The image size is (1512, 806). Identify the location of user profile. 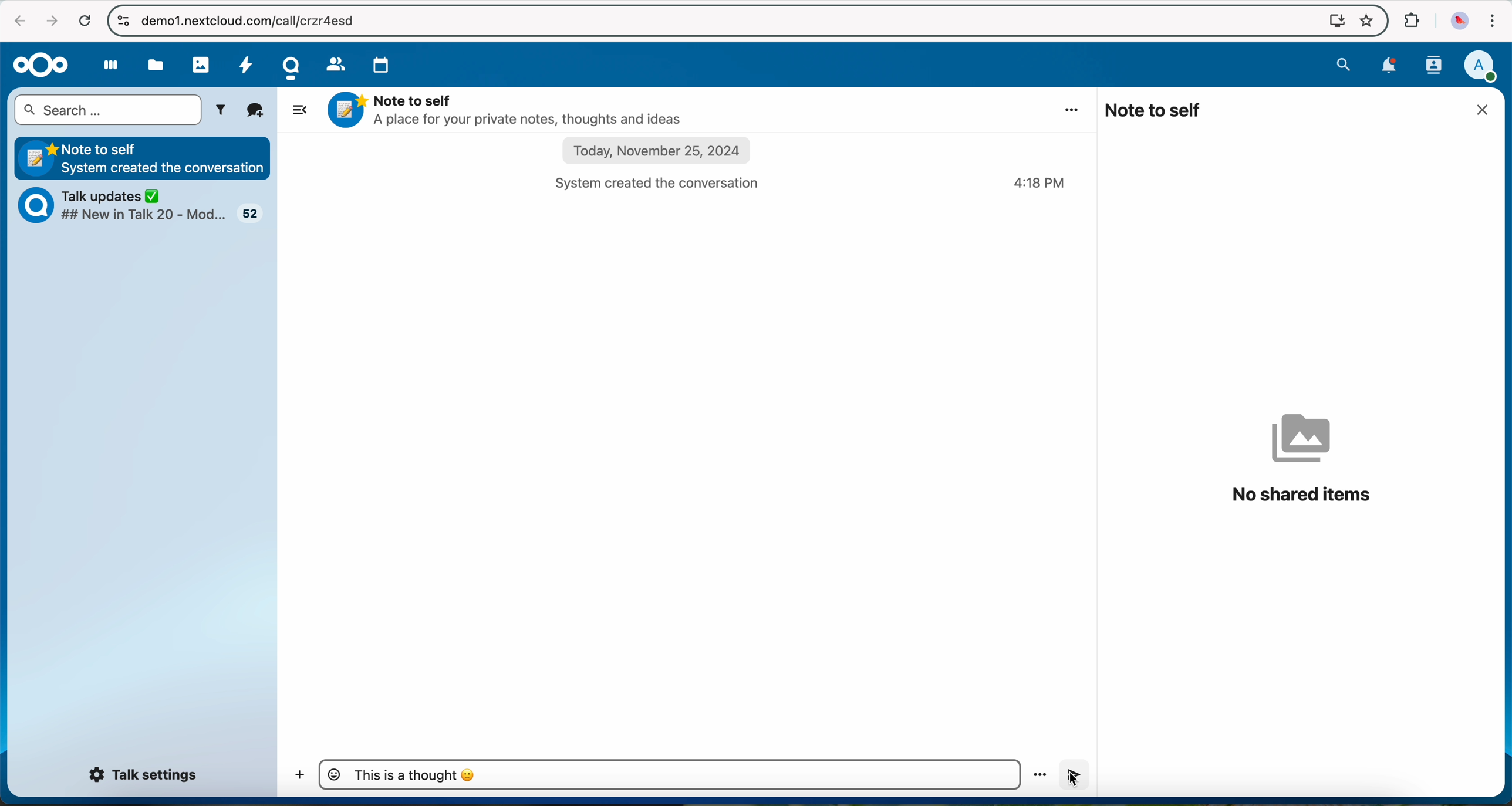
(1486, 66).